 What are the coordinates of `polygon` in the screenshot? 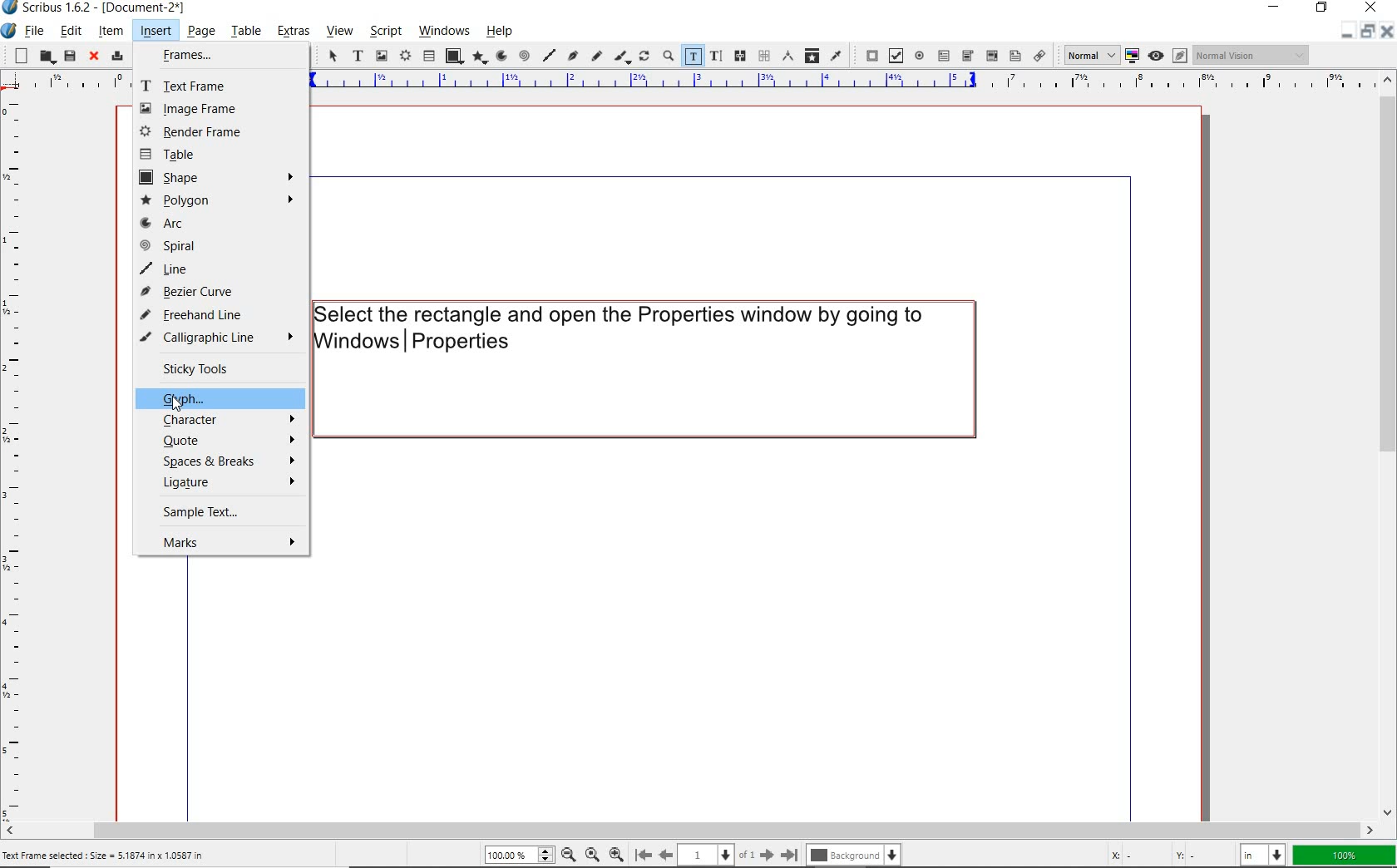 It's located at (220, 200).